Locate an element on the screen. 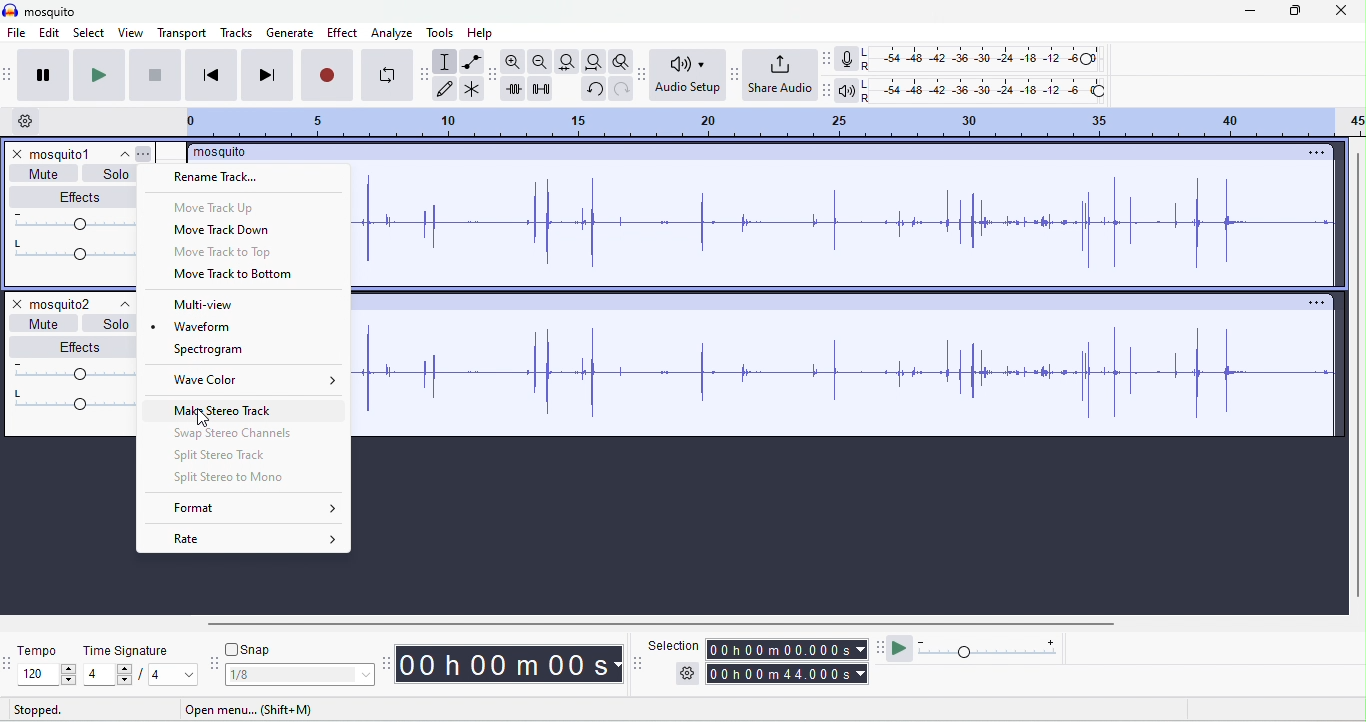 Image resolution: width=1366 pixels, height=722 pixels. transport is located at coordinates (181, 33).